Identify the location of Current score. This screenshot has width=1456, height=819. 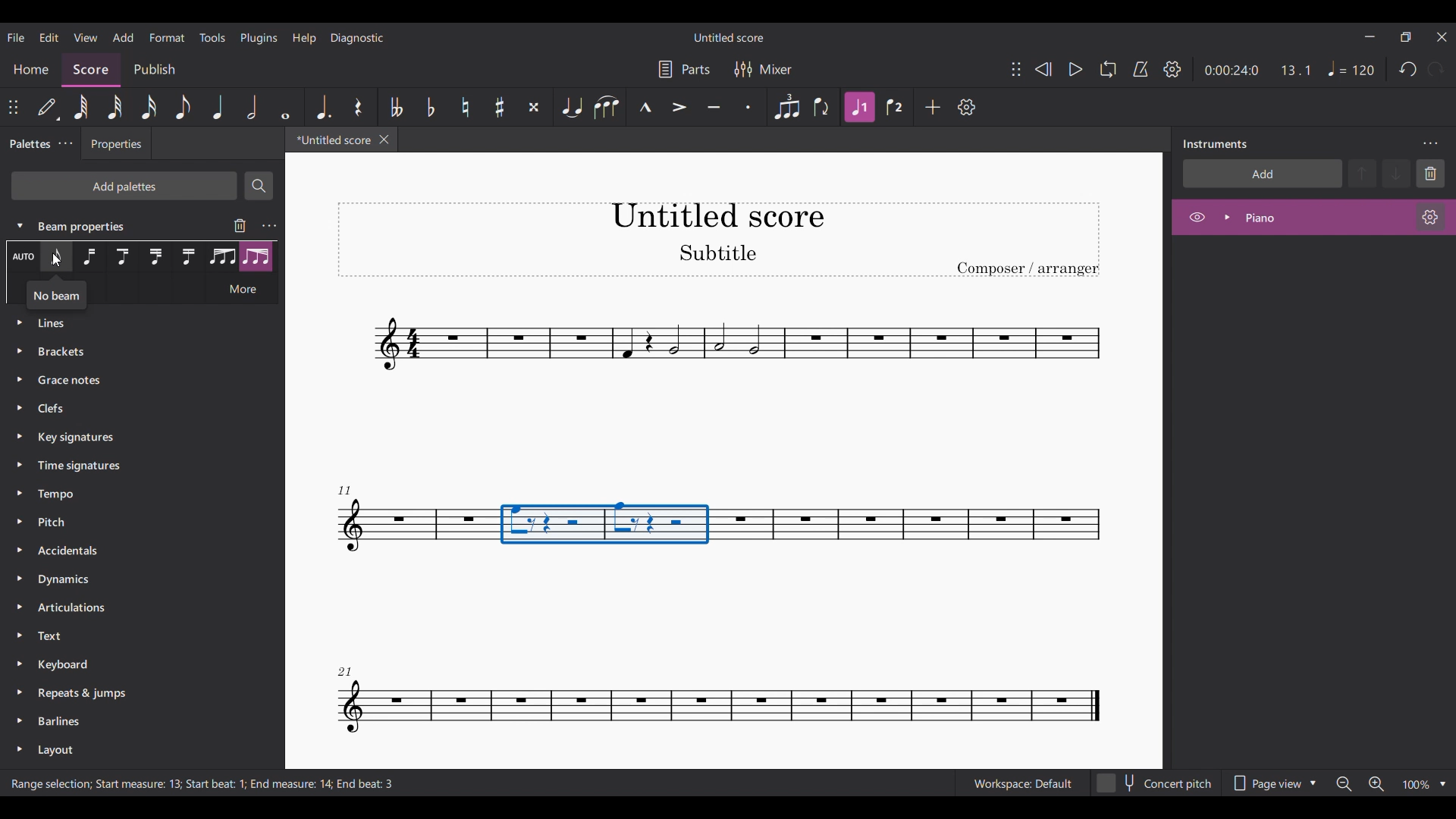
(723, 372).